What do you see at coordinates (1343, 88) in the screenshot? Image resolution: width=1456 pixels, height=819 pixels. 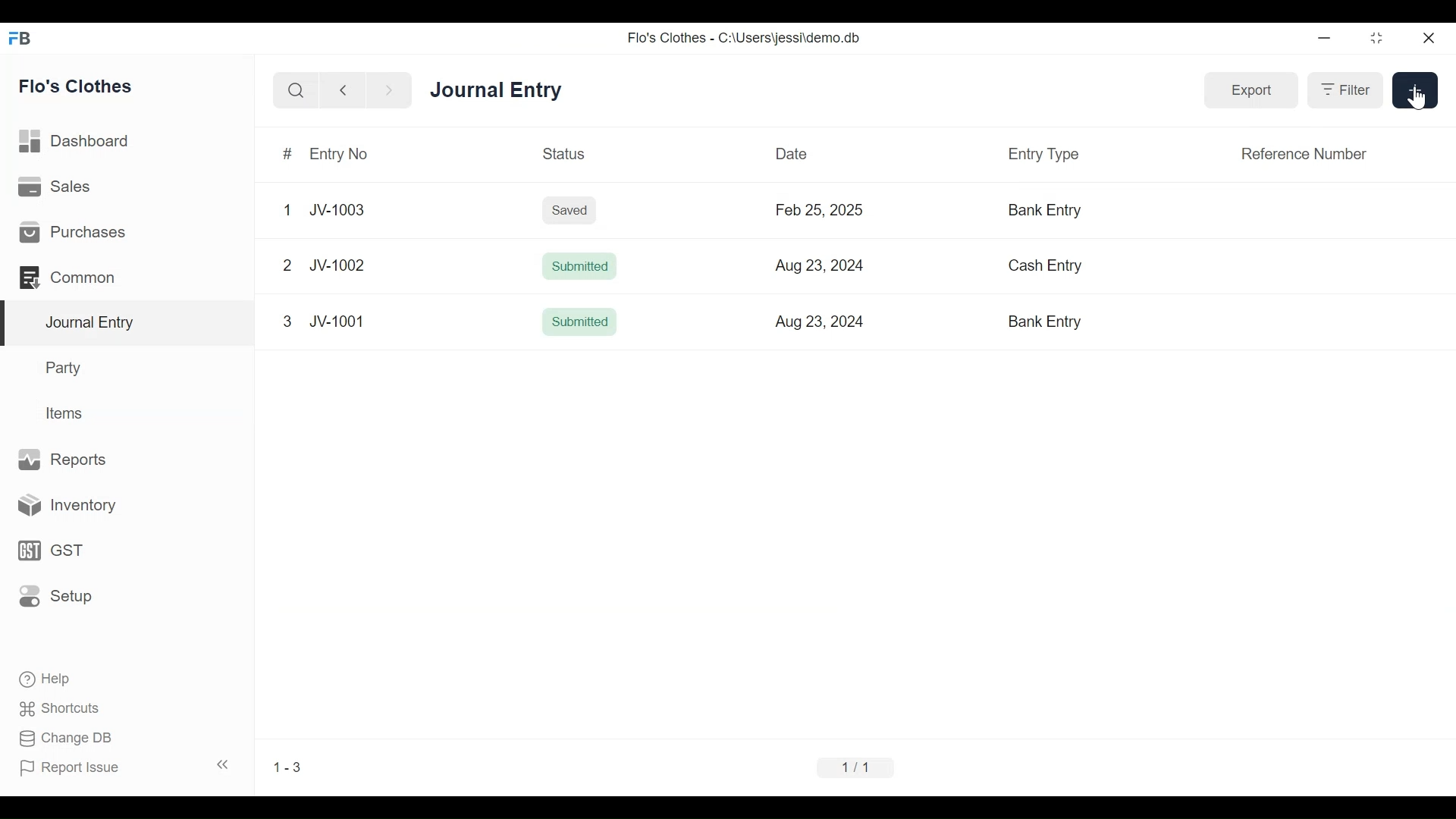 I see `Filter` at bounding box center [1343, 88].